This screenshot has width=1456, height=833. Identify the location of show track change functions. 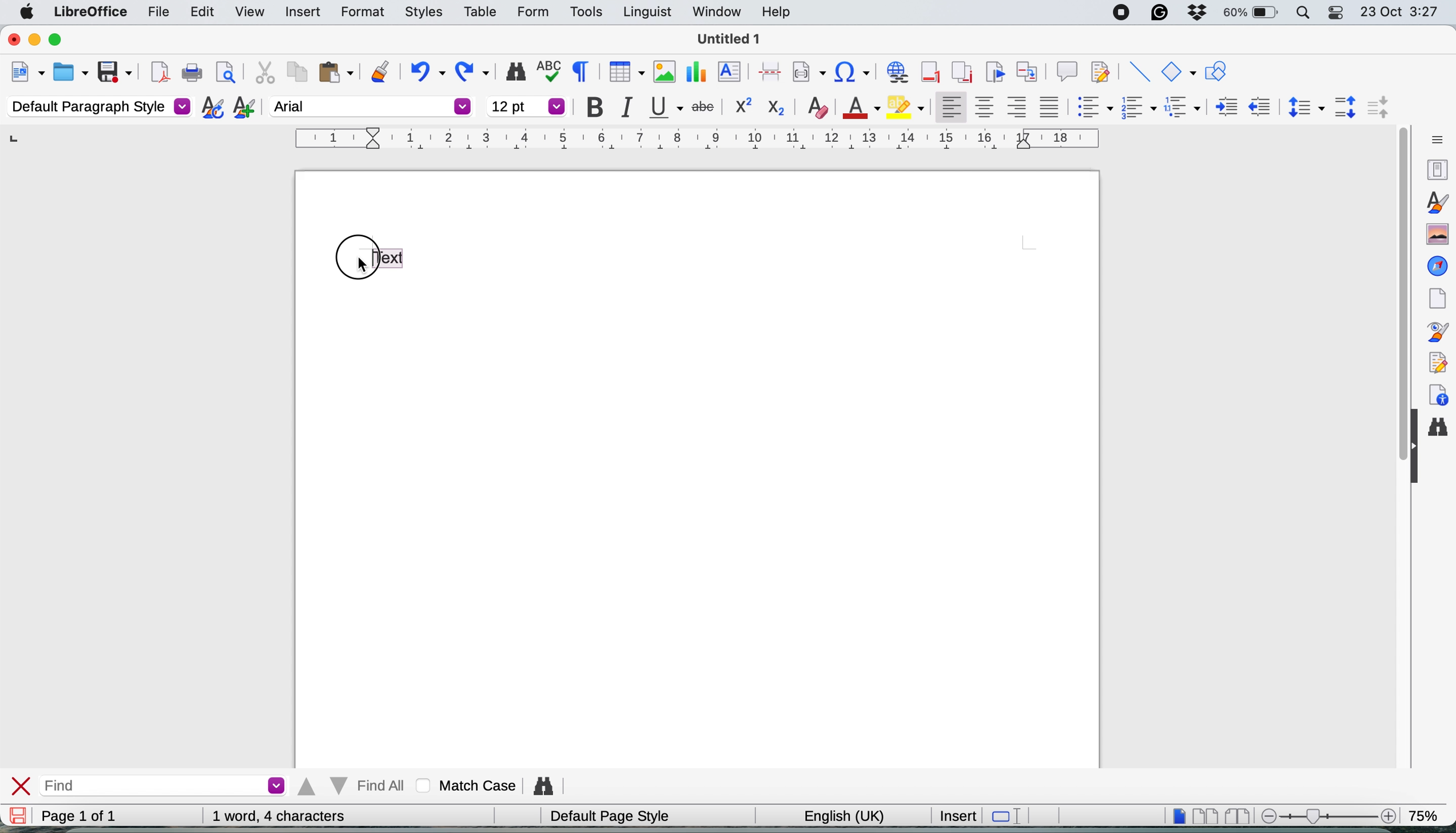
(1103, 73).